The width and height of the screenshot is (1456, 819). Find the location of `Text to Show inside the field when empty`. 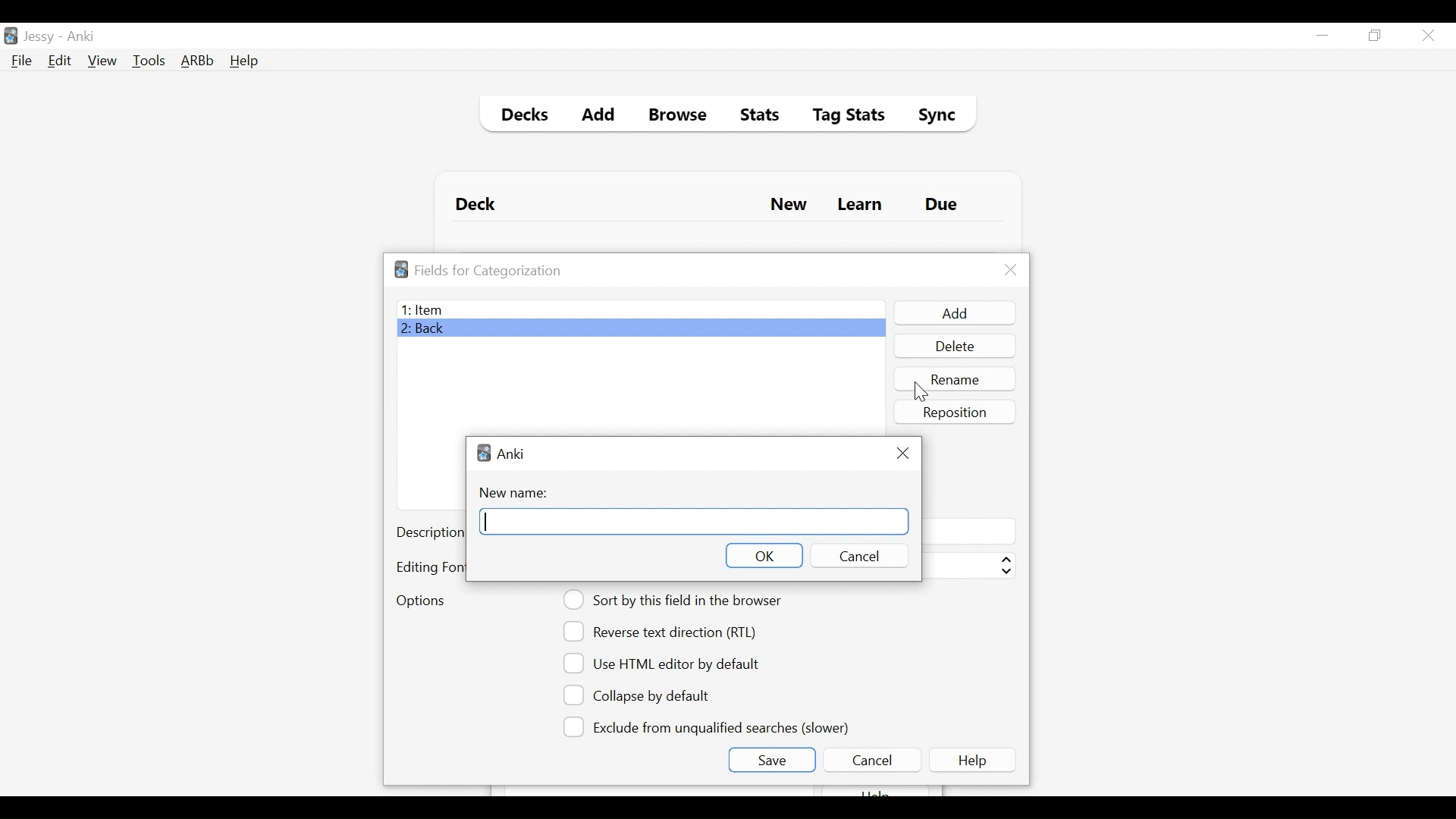

Text to Show inside the field when empty is located at coordinates (968, 531).